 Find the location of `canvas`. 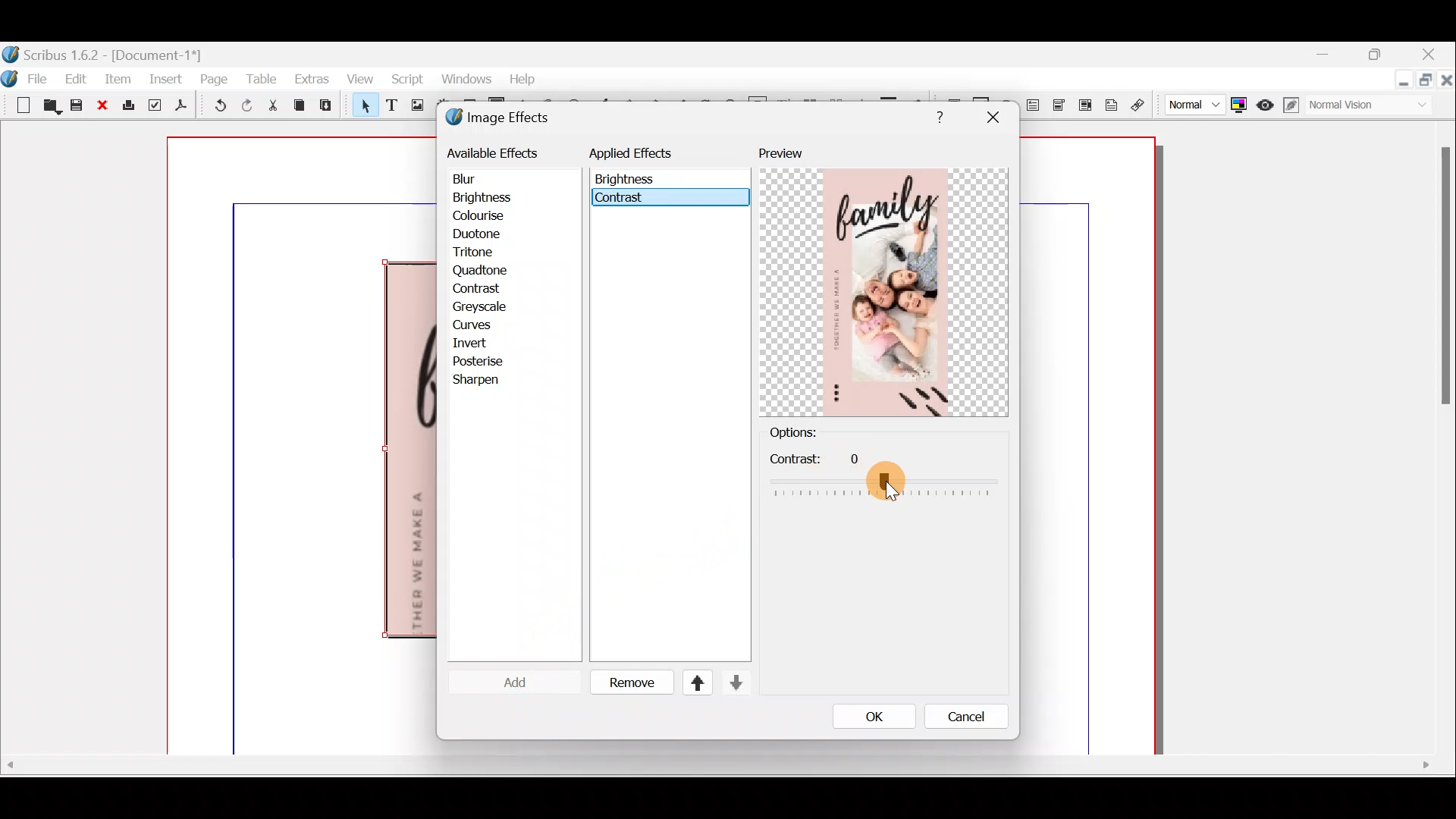

canvas is located at coordinates (1089, 447).